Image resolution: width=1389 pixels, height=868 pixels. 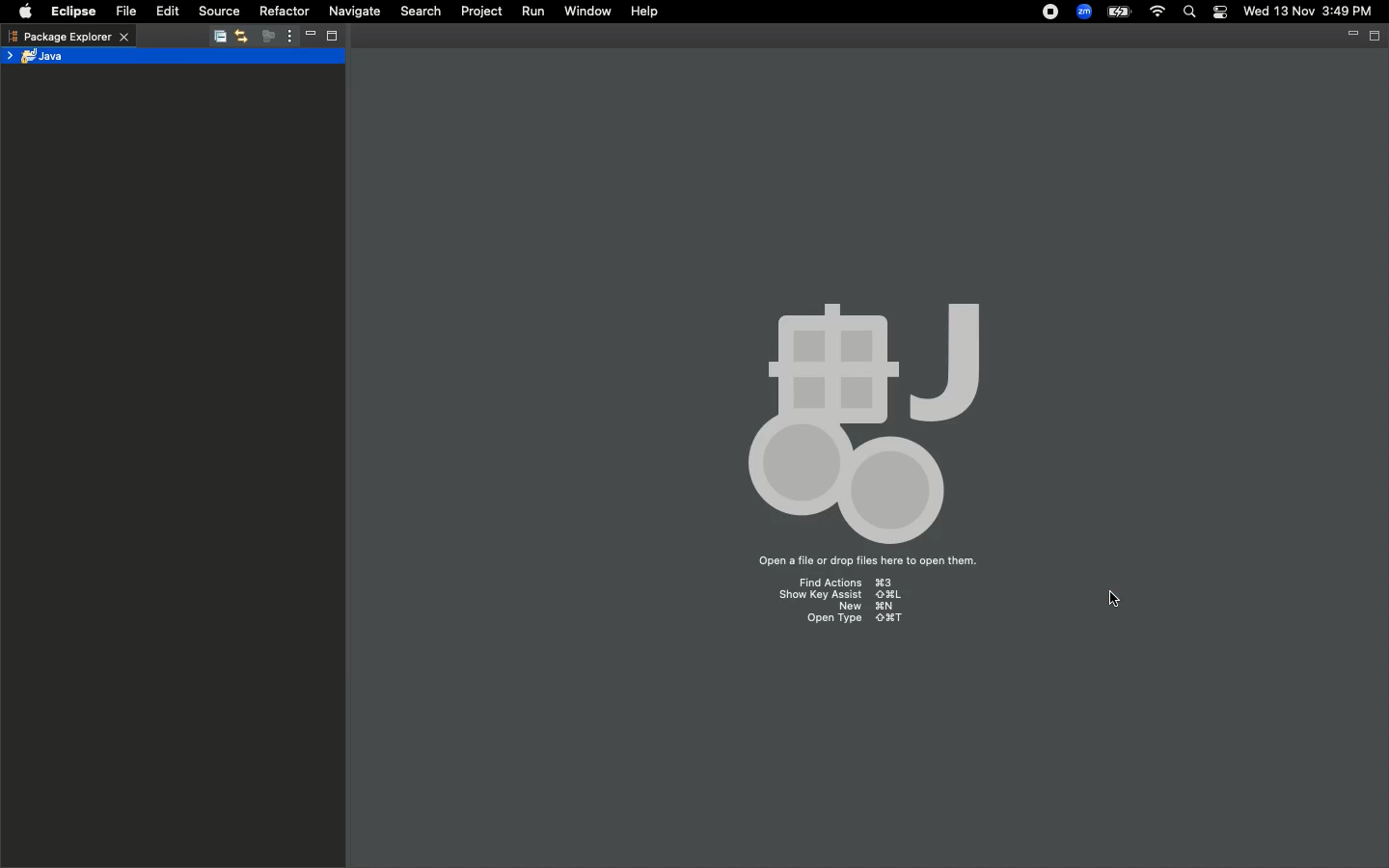 What do you see at coordinates (1128, 604) in the screenshot?
I see `pointer cursor` at bounding box center [1128, 604].